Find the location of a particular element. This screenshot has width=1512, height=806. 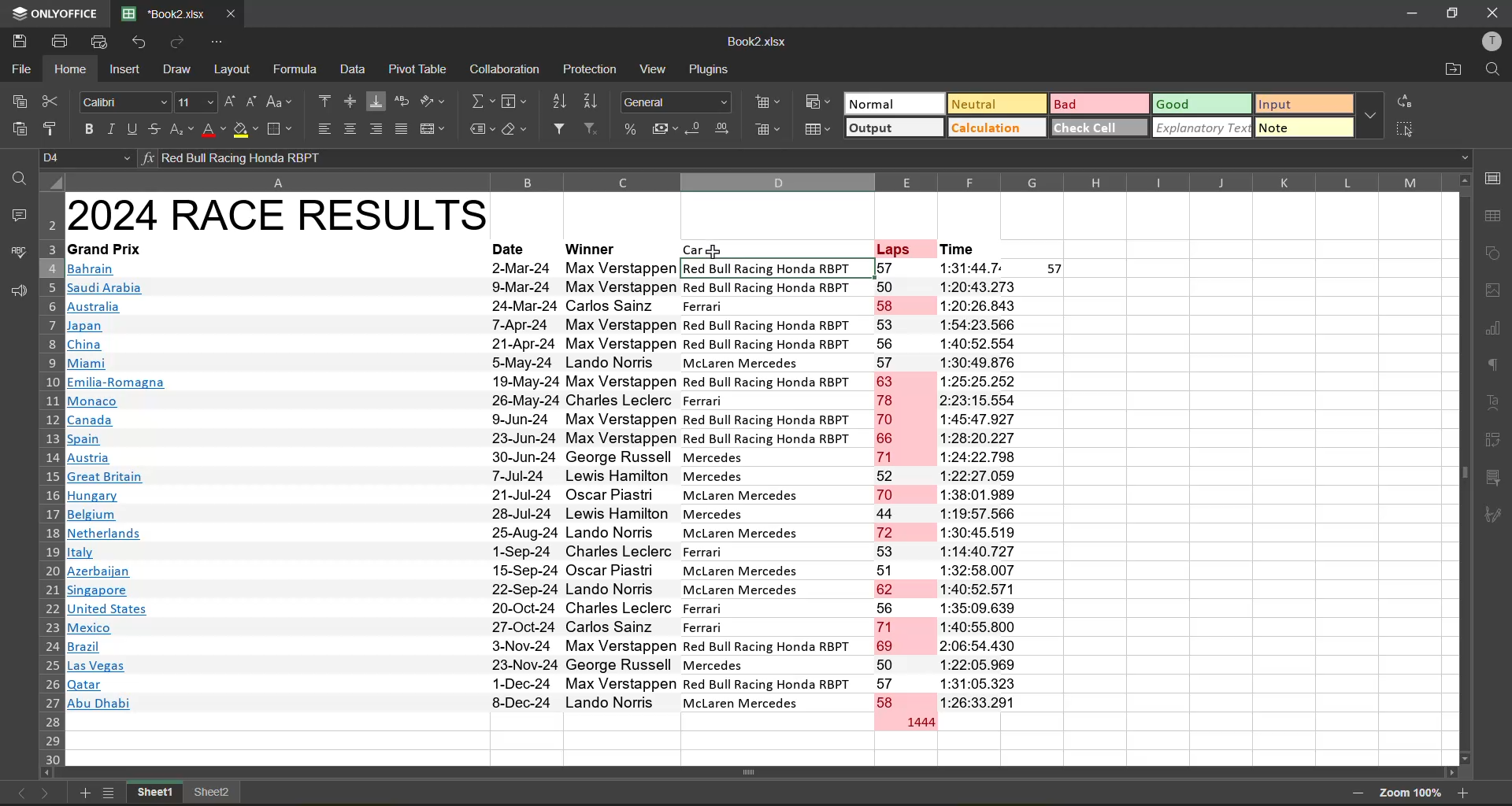

file is located at coordinates (19, 68).